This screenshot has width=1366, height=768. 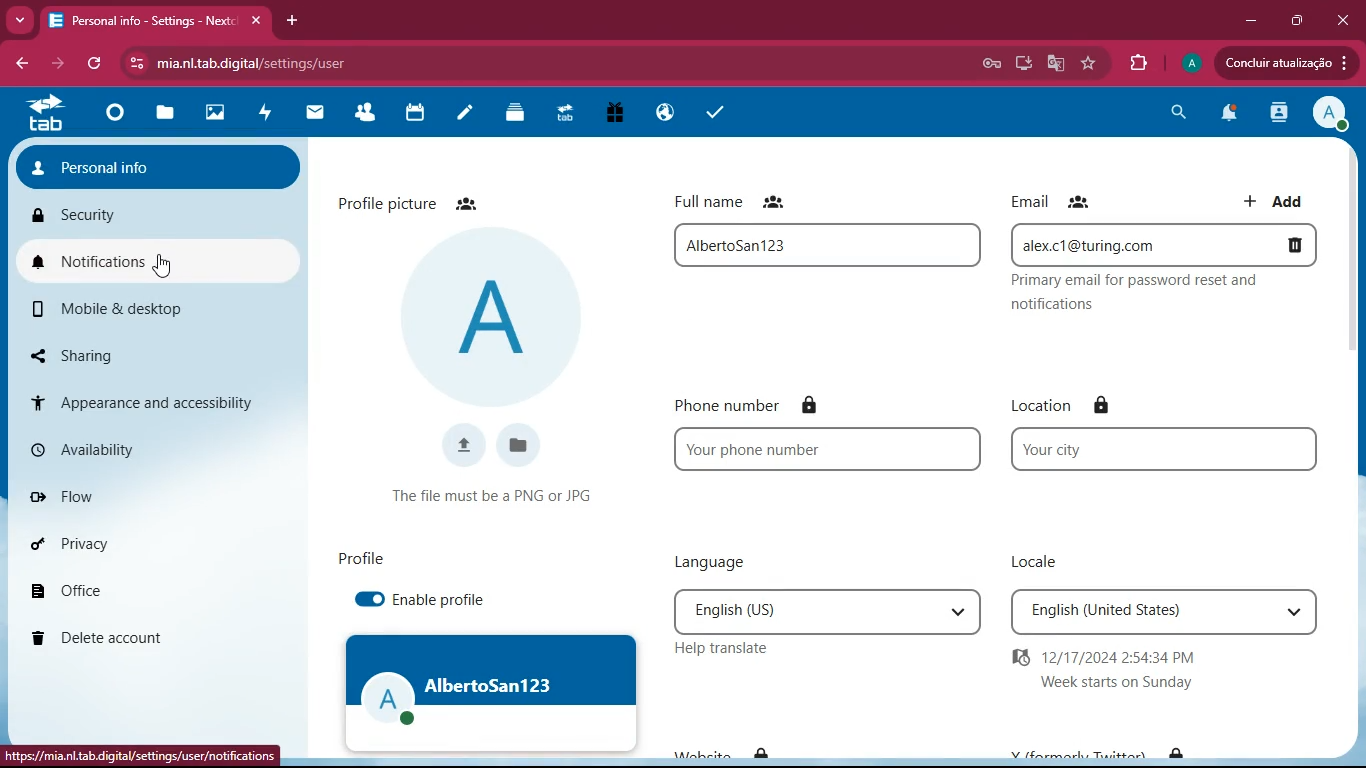 What do you see at coordinates (1059, 399) in the screenshot?
I see `location` at bounding box center [1059, 399].